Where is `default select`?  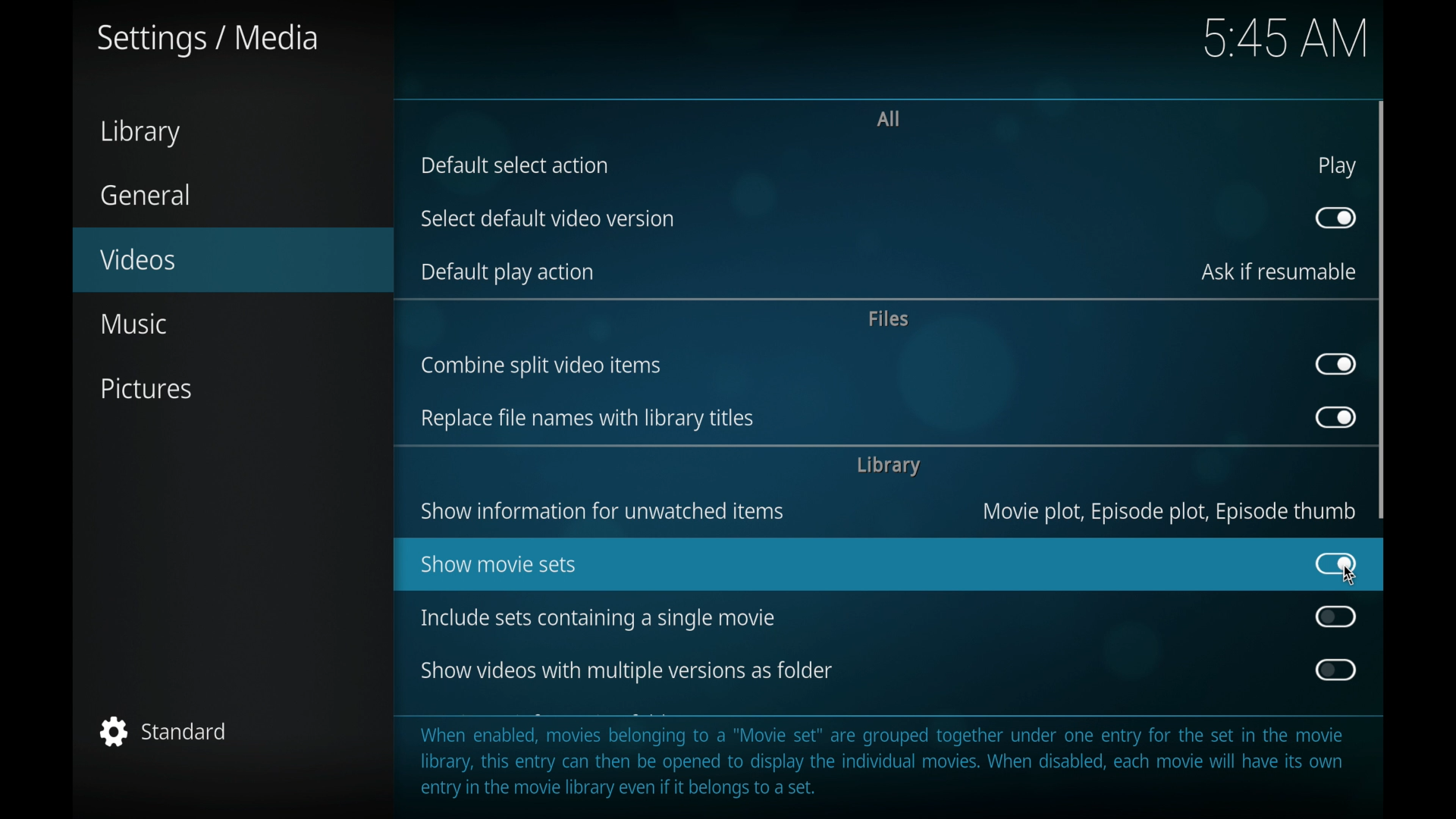
default select is located at coordinates (514, 165).